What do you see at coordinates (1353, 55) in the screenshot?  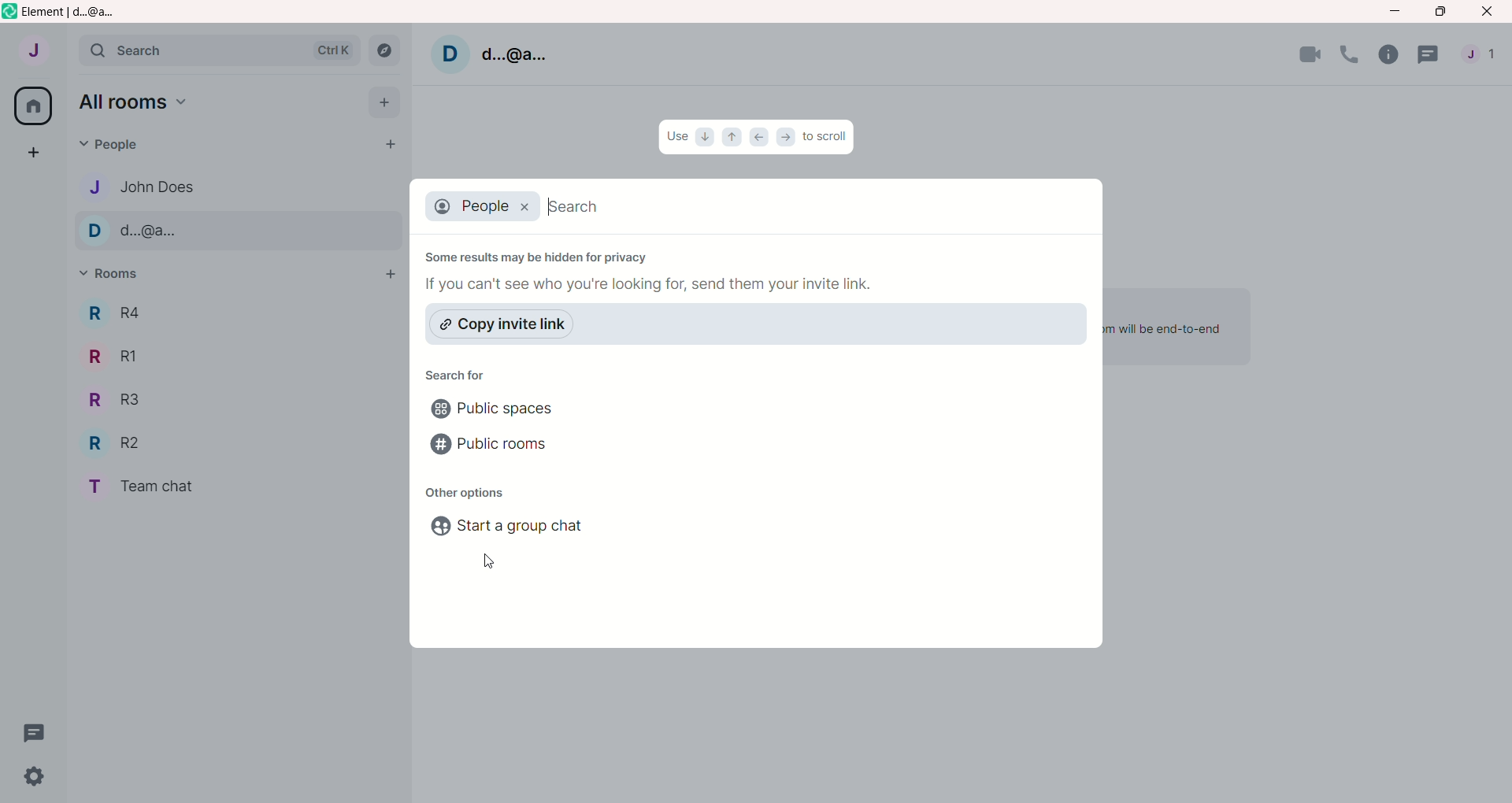 I see `voice call` at bounding box center [1353, 55].